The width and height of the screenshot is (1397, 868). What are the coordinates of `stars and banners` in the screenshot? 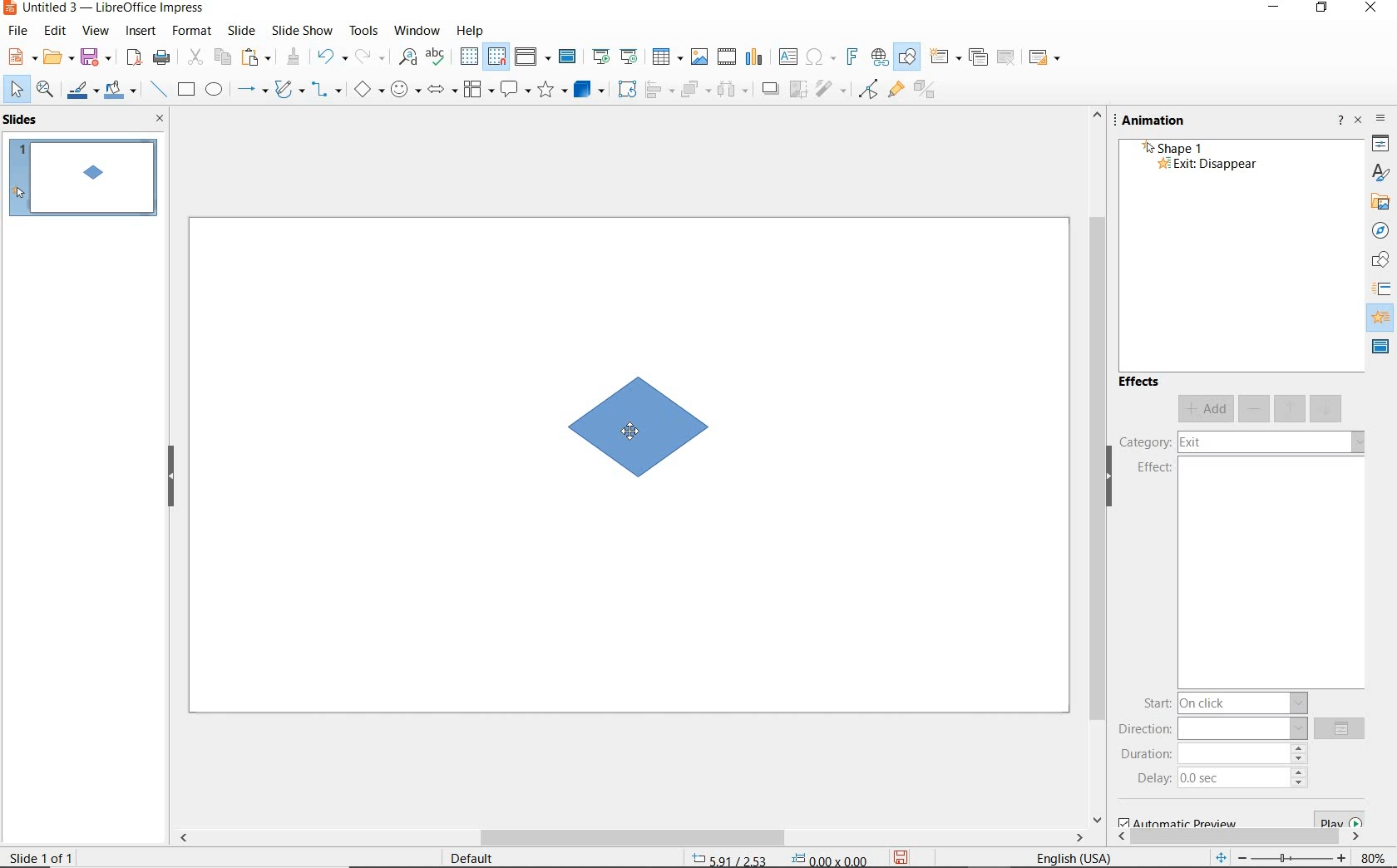 It's located at (554, 89).